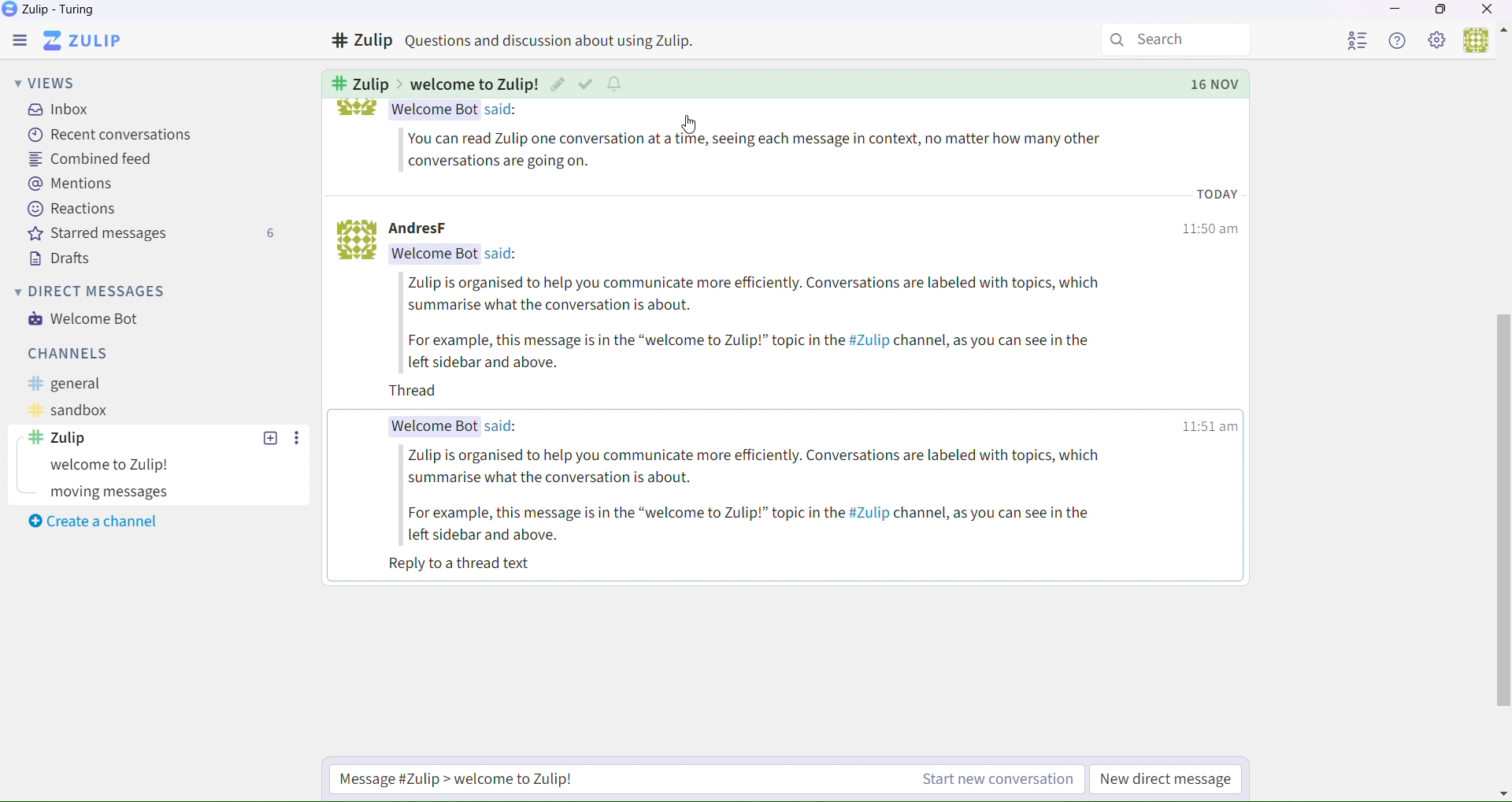  What do you see at coordinates (1503, 793) in the screenshot?
I see `` at bounding box center [1503, 793].